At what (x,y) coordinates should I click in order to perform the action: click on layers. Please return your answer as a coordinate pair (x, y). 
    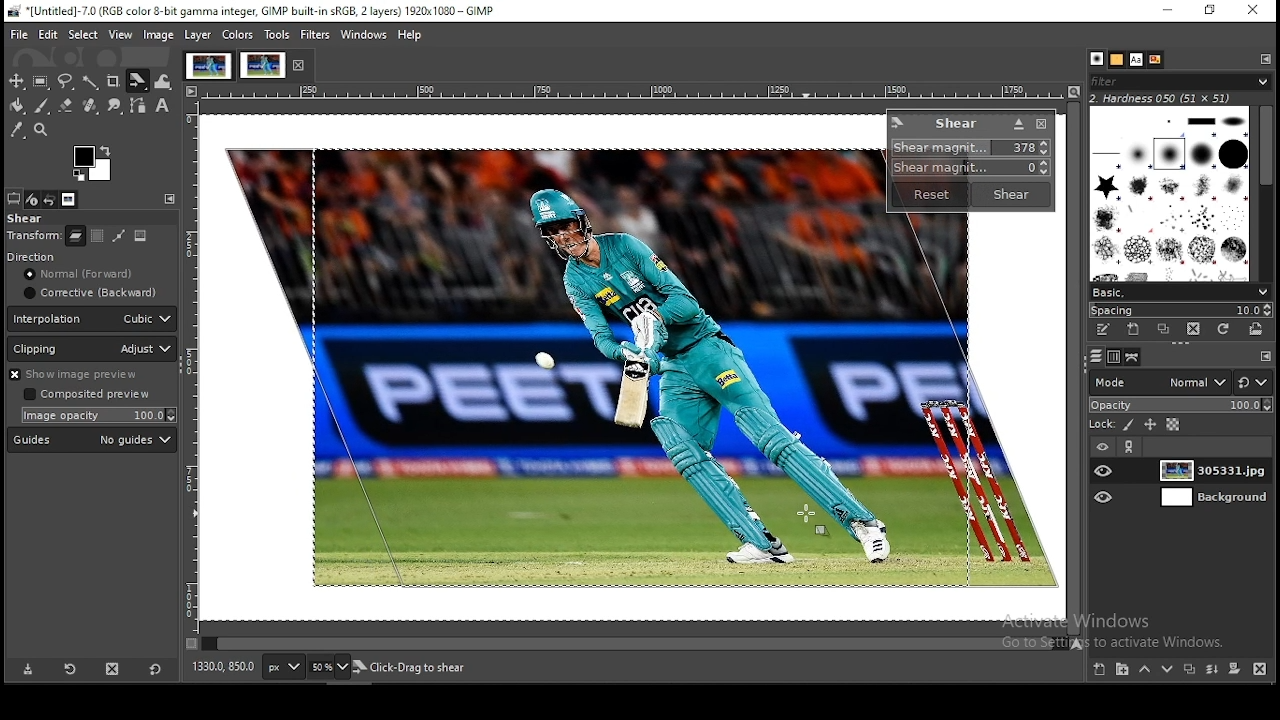
    Looking at the image, I should click on (1133, 357).